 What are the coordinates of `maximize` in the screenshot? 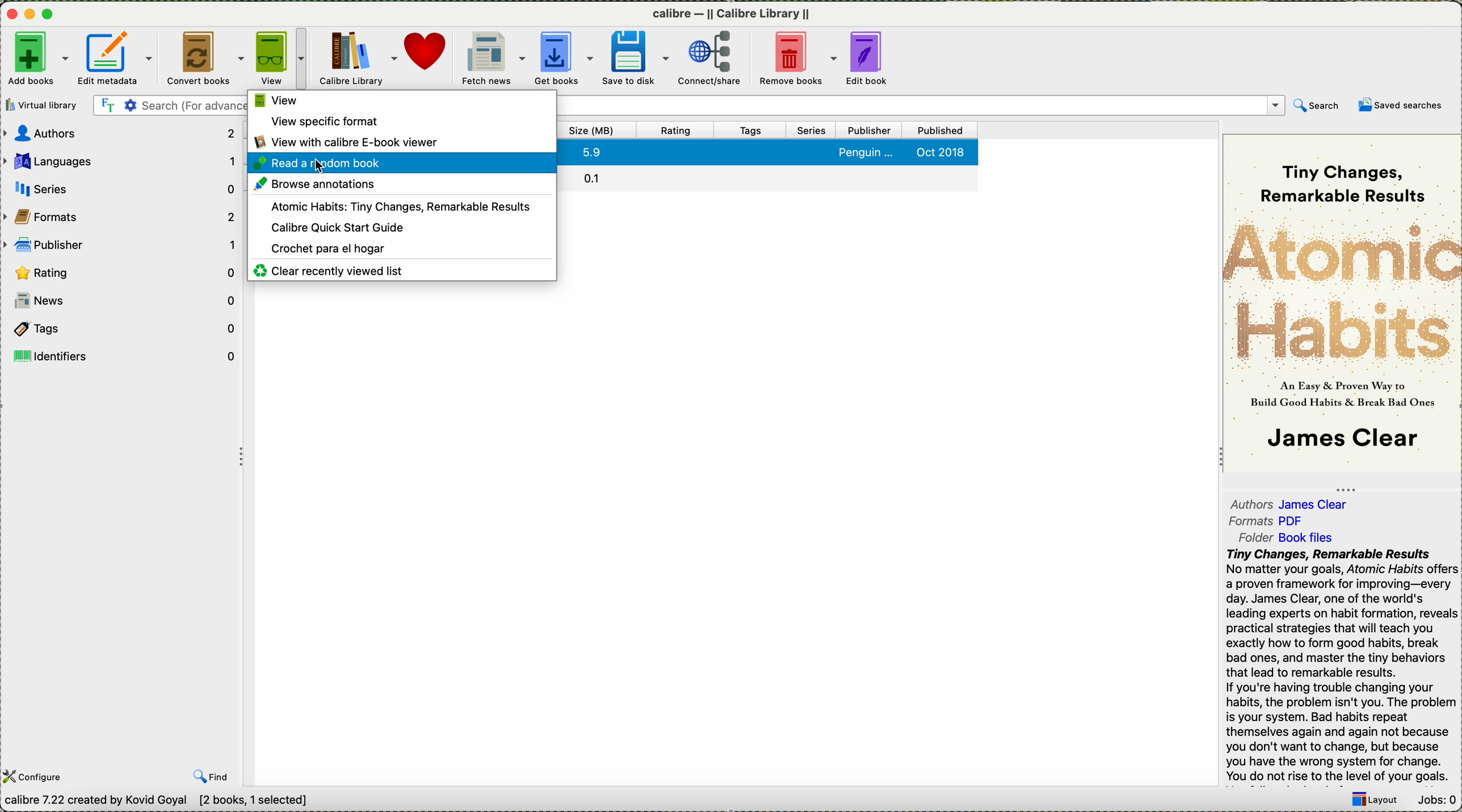 It's located at (48, 14).